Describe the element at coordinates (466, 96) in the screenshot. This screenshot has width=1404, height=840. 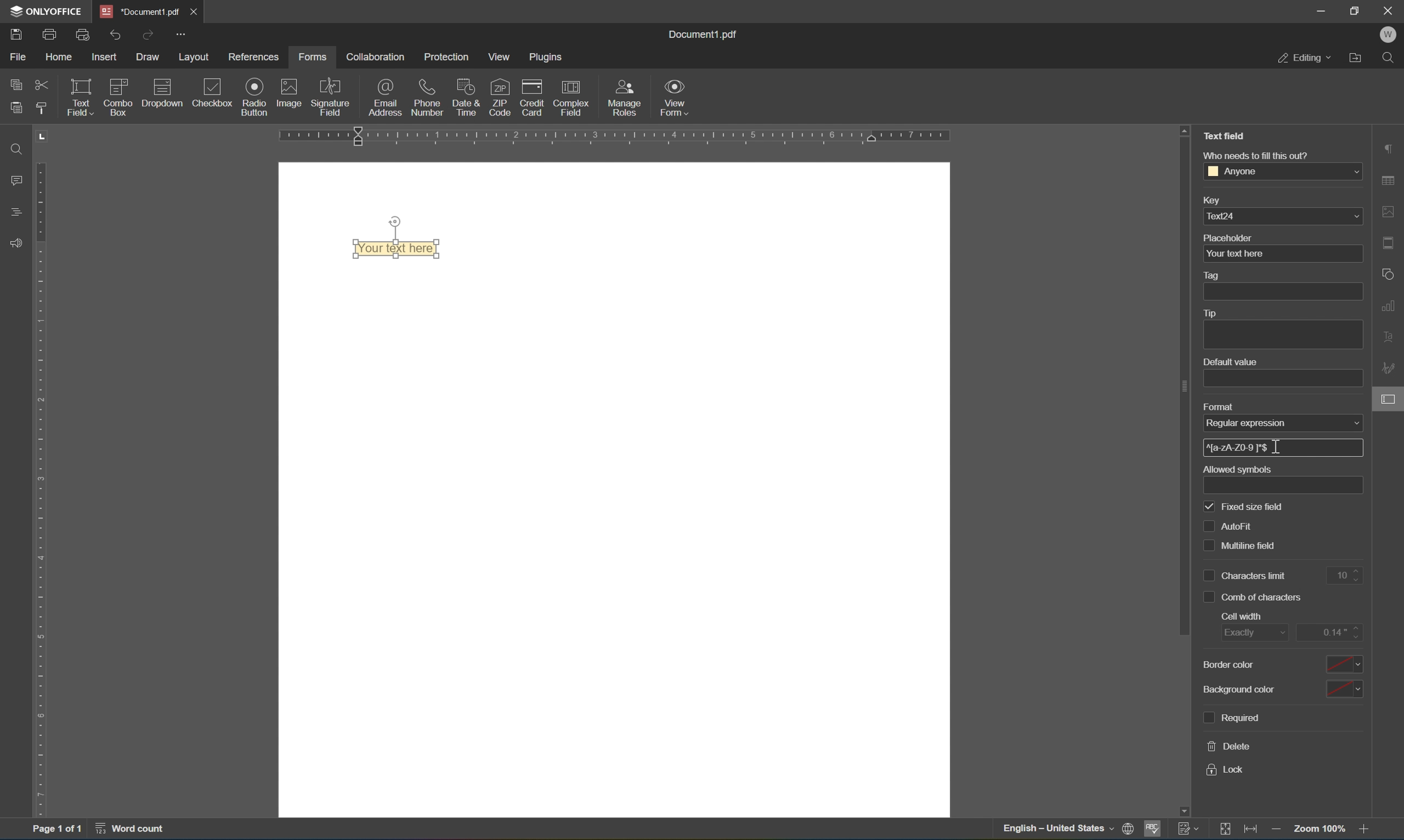
I see `date and time` at that location.